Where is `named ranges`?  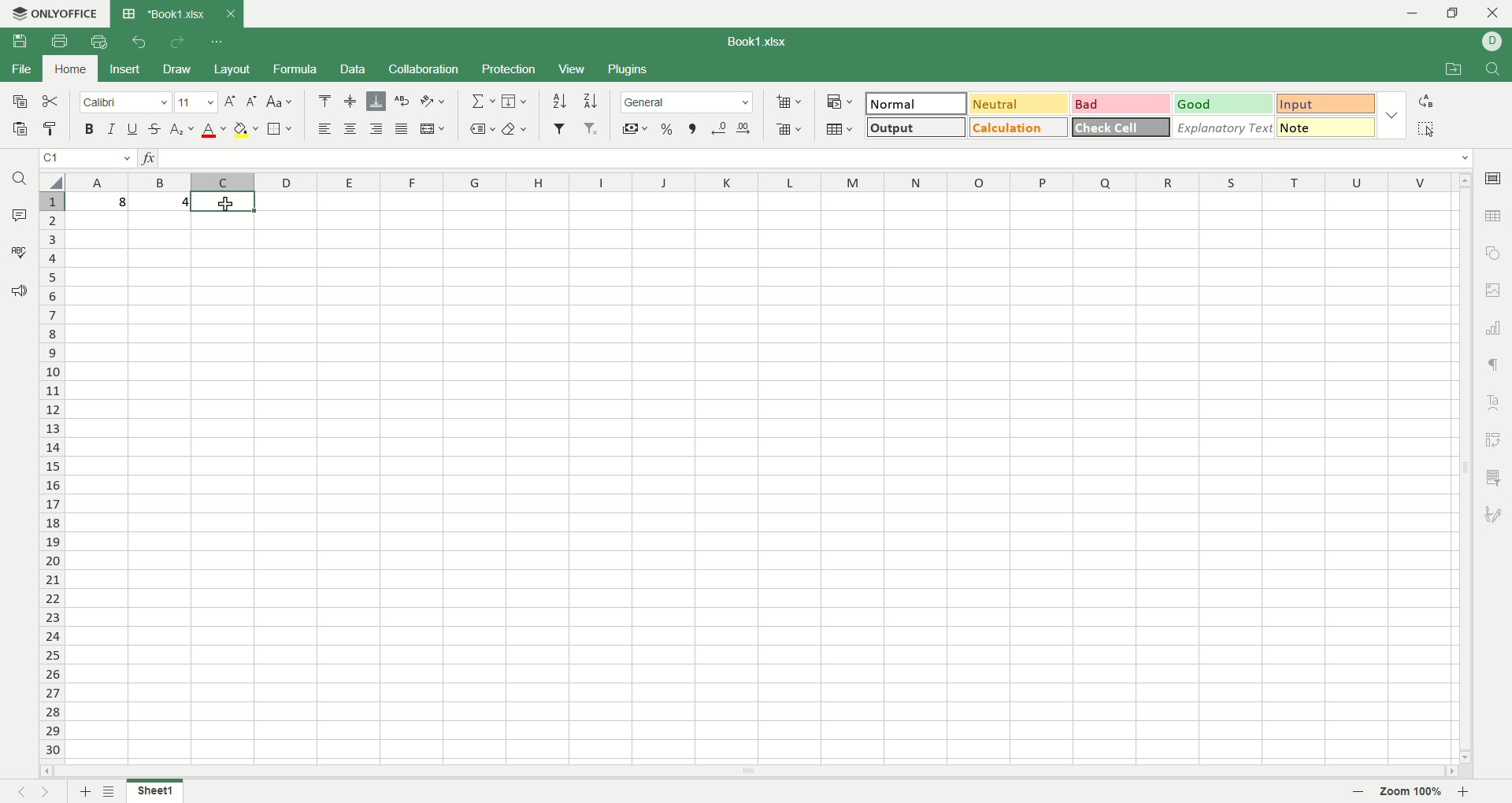
named ranges is located at coordinates (481, 129).